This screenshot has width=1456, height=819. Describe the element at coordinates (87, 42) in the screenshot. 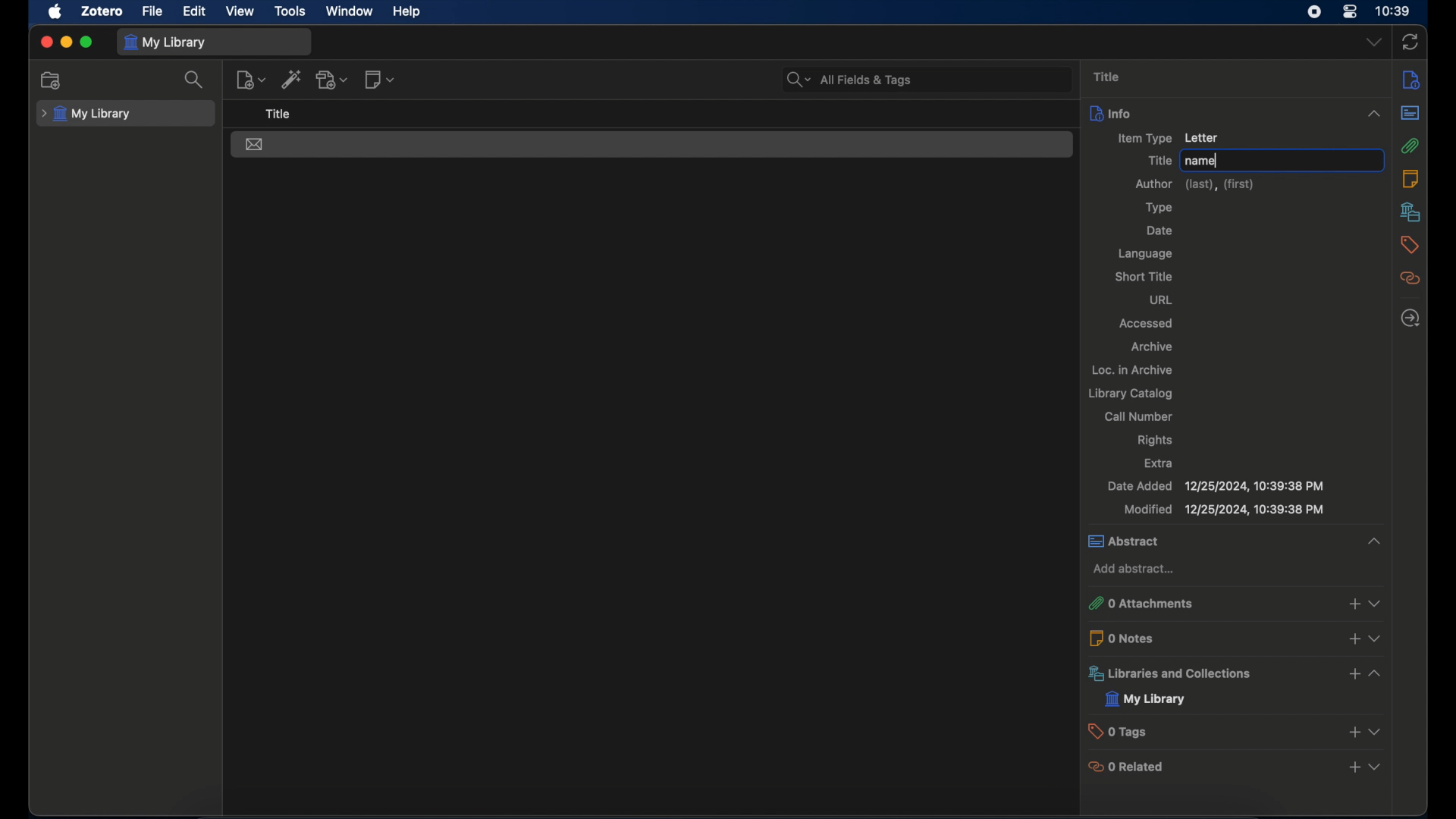

I see `maximize` at that location.